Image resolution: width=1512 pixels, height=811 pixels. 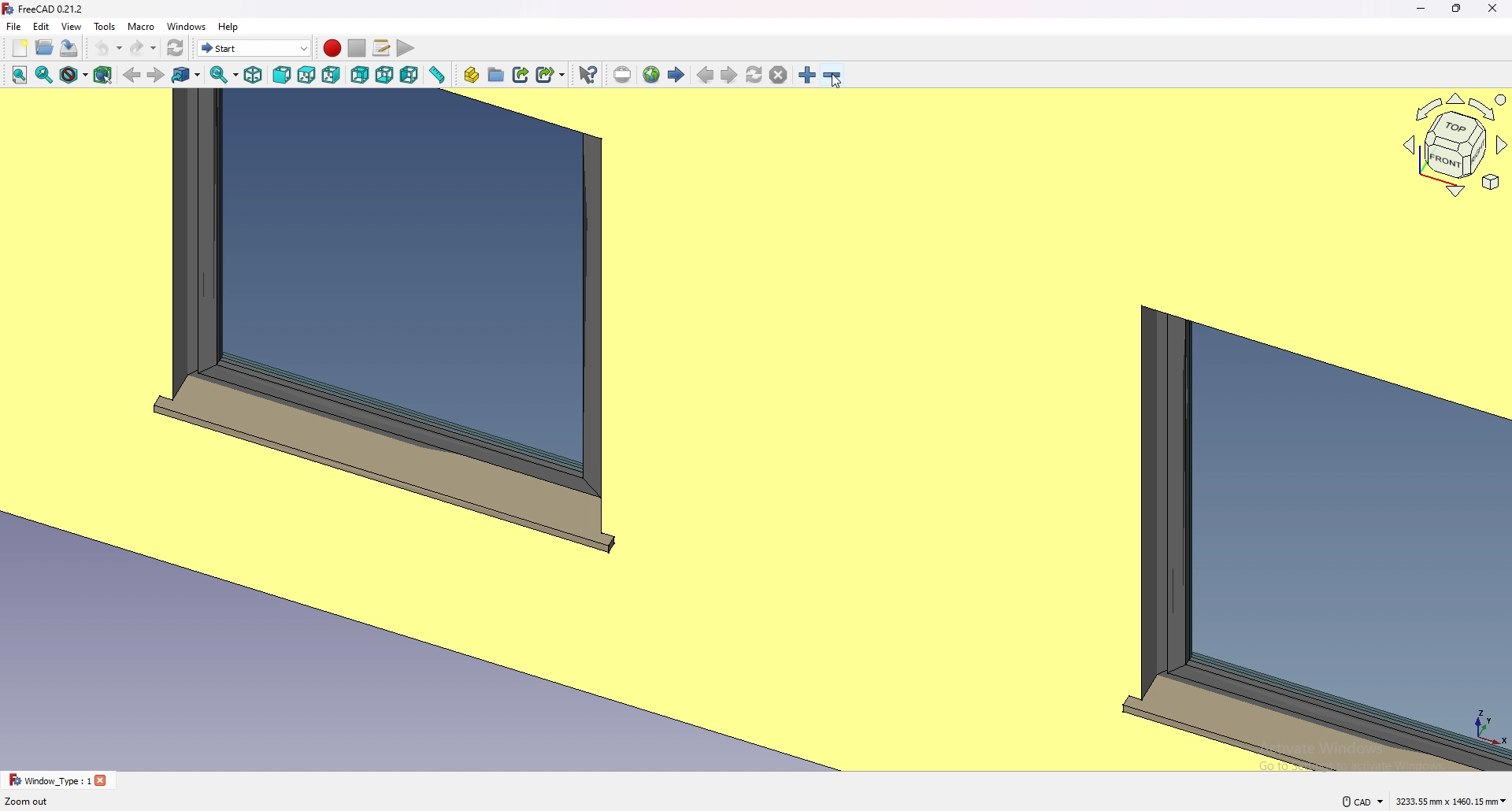 I want to click on whats this?, so click(x=587, y=74).